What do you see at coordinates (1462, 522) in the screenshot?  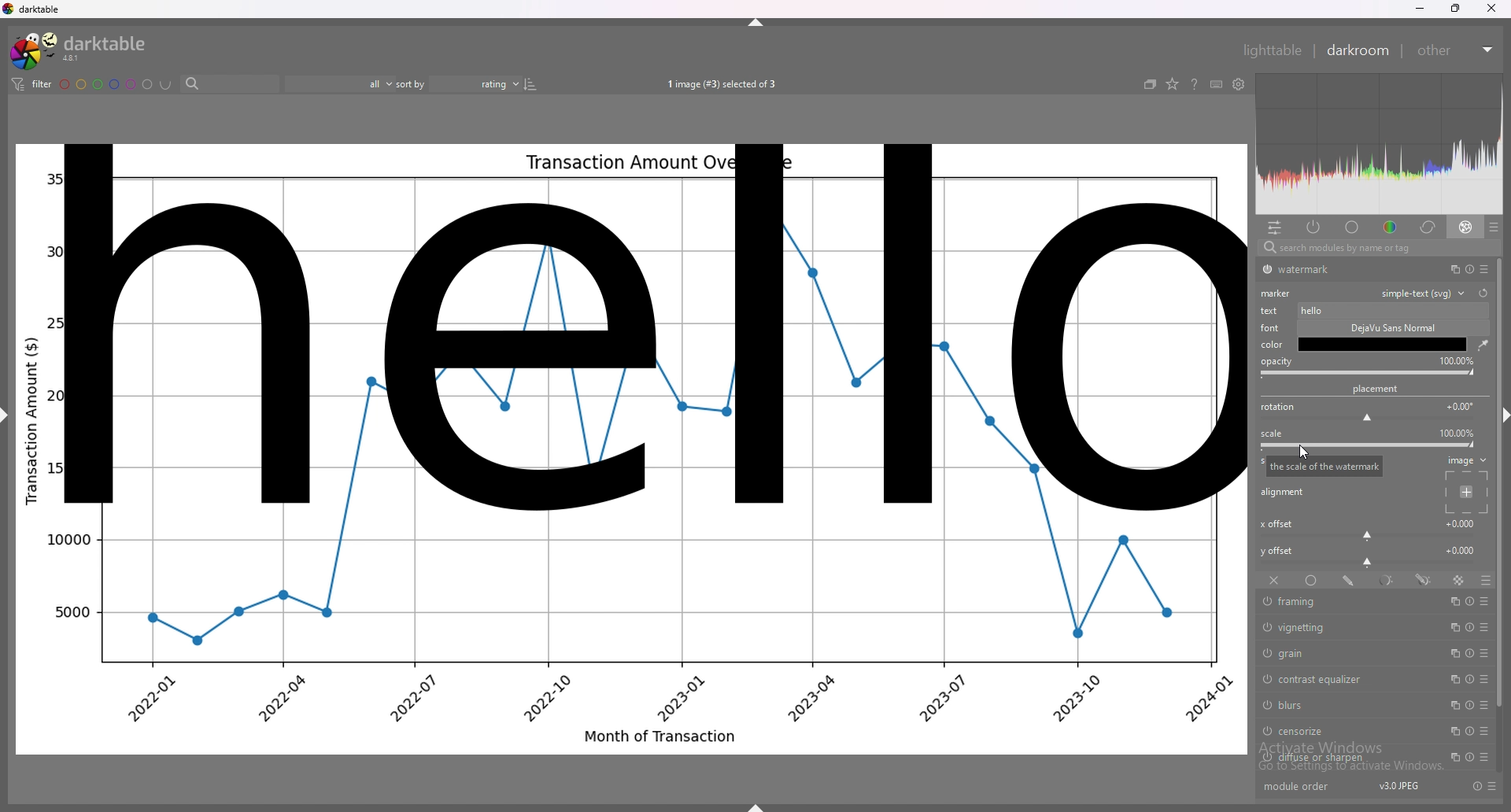 I see `x offset` at bounding box center [1462, 522].